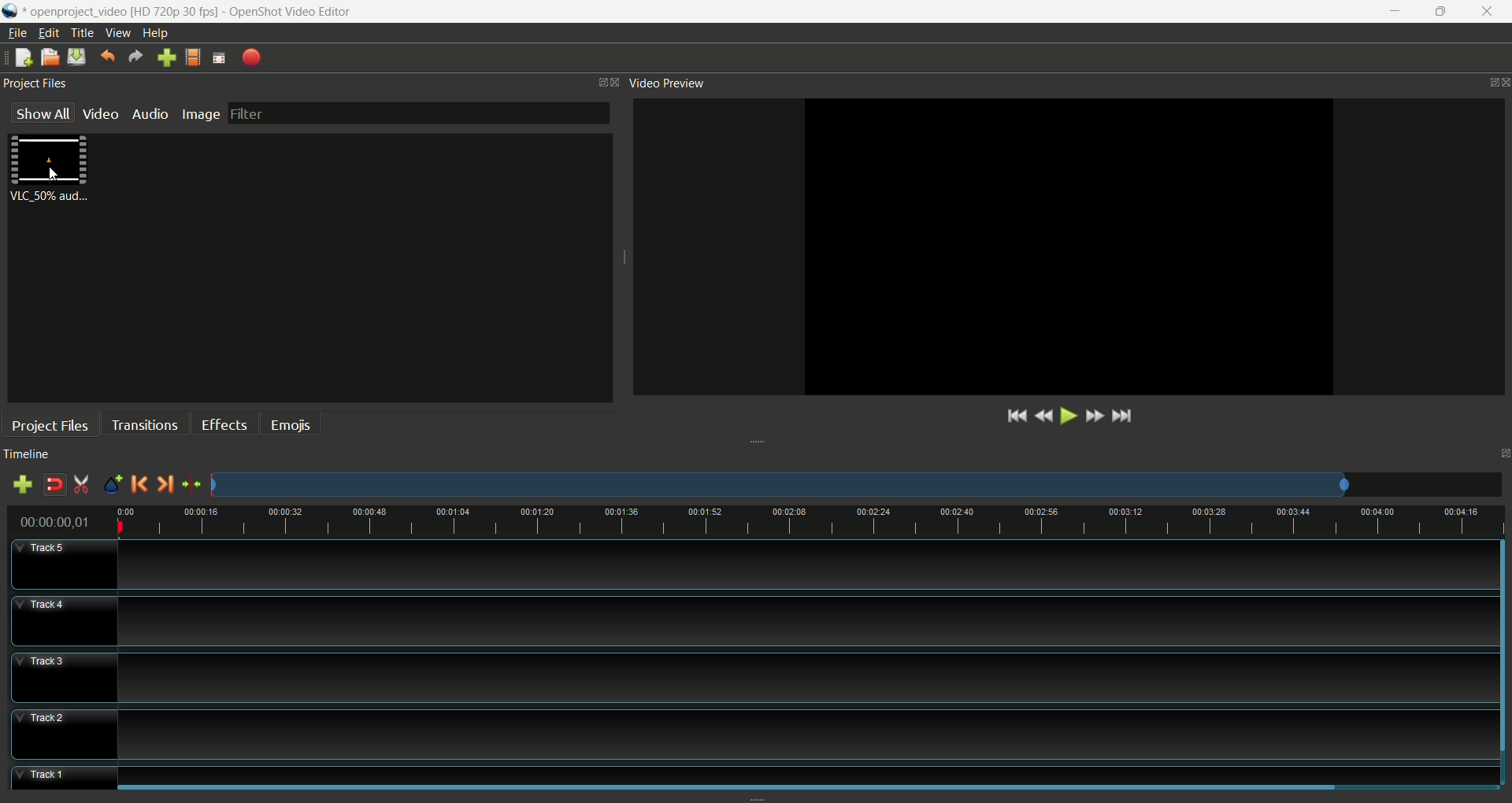 This screenshot has width=1512, height=803. I want to click on save project, so click(76, 56).